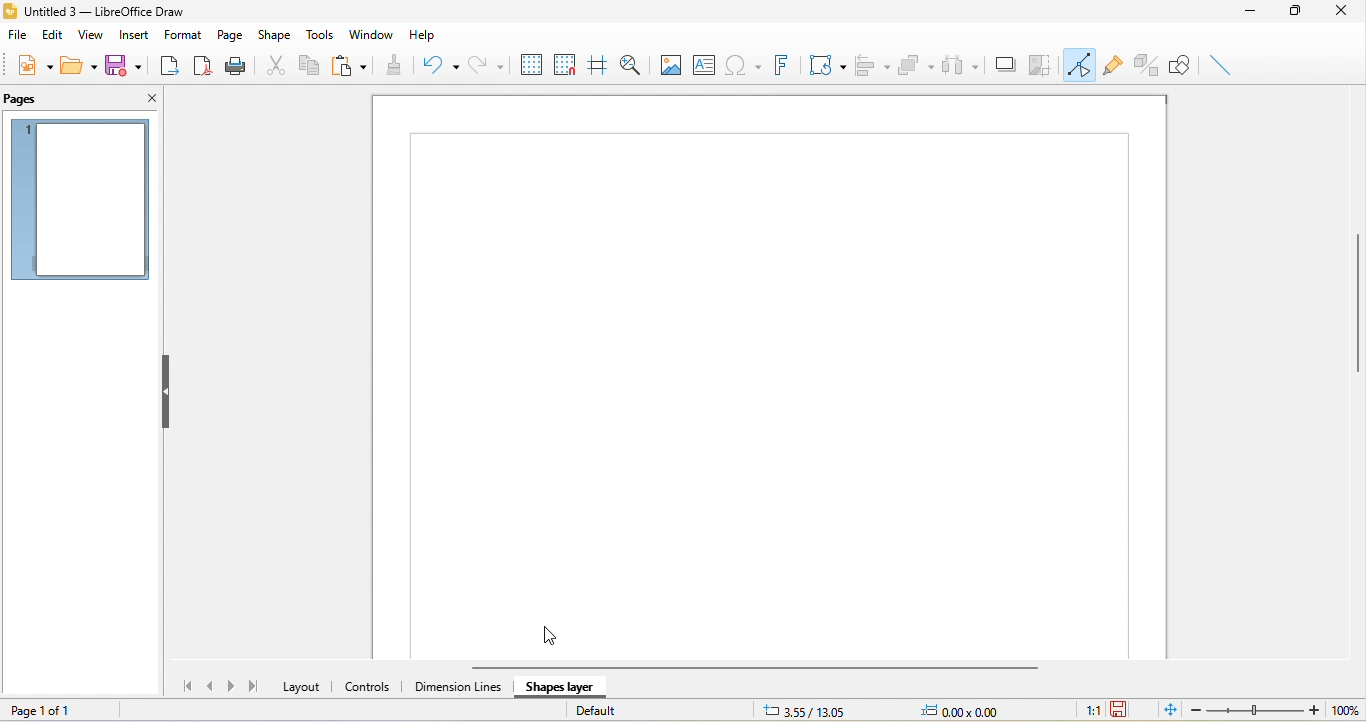 The height and width of the screenshot is (722, 1366). What do you see at coordinates (1276, 711) in the screenshot?
I see `zoom` at bounding box center [1276, 711].